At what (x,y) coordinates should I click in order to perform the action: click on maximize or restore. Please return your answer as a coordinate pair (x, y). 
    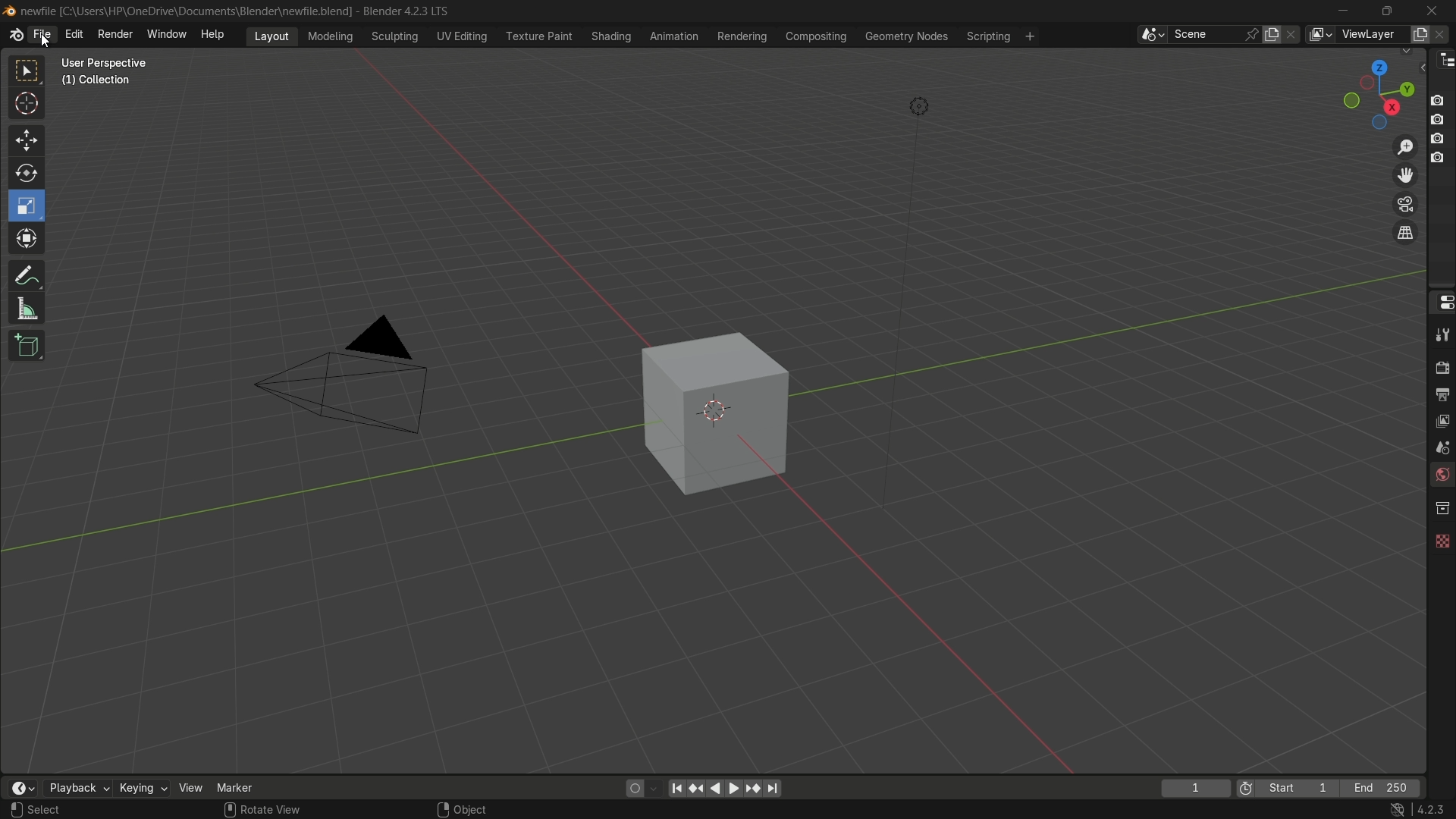
    Looking at the image, I should click on (1386, 10).